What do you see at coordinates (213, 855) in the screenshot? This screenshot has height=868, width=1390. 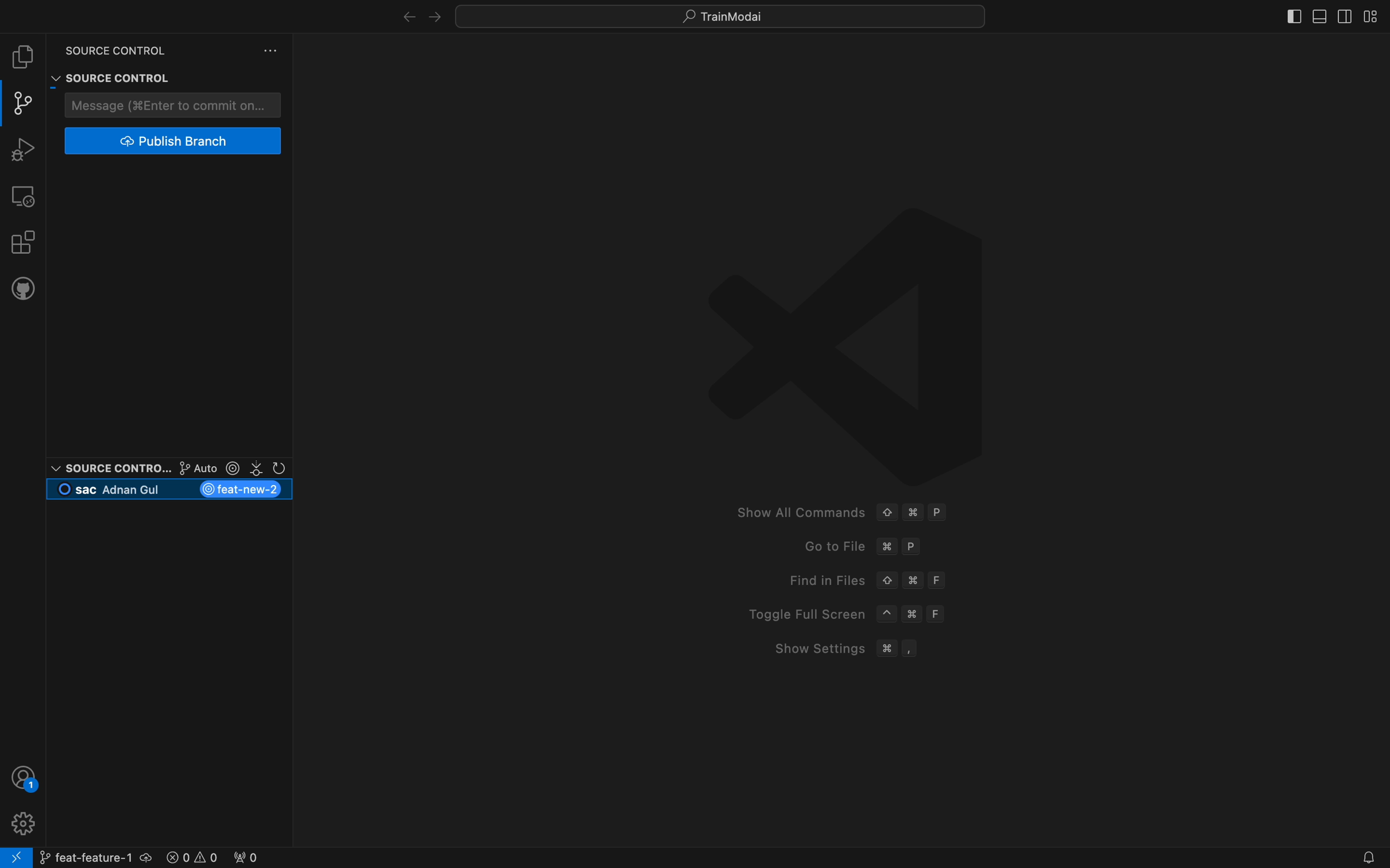 I see `error logs` at bounding box center [213, 855].